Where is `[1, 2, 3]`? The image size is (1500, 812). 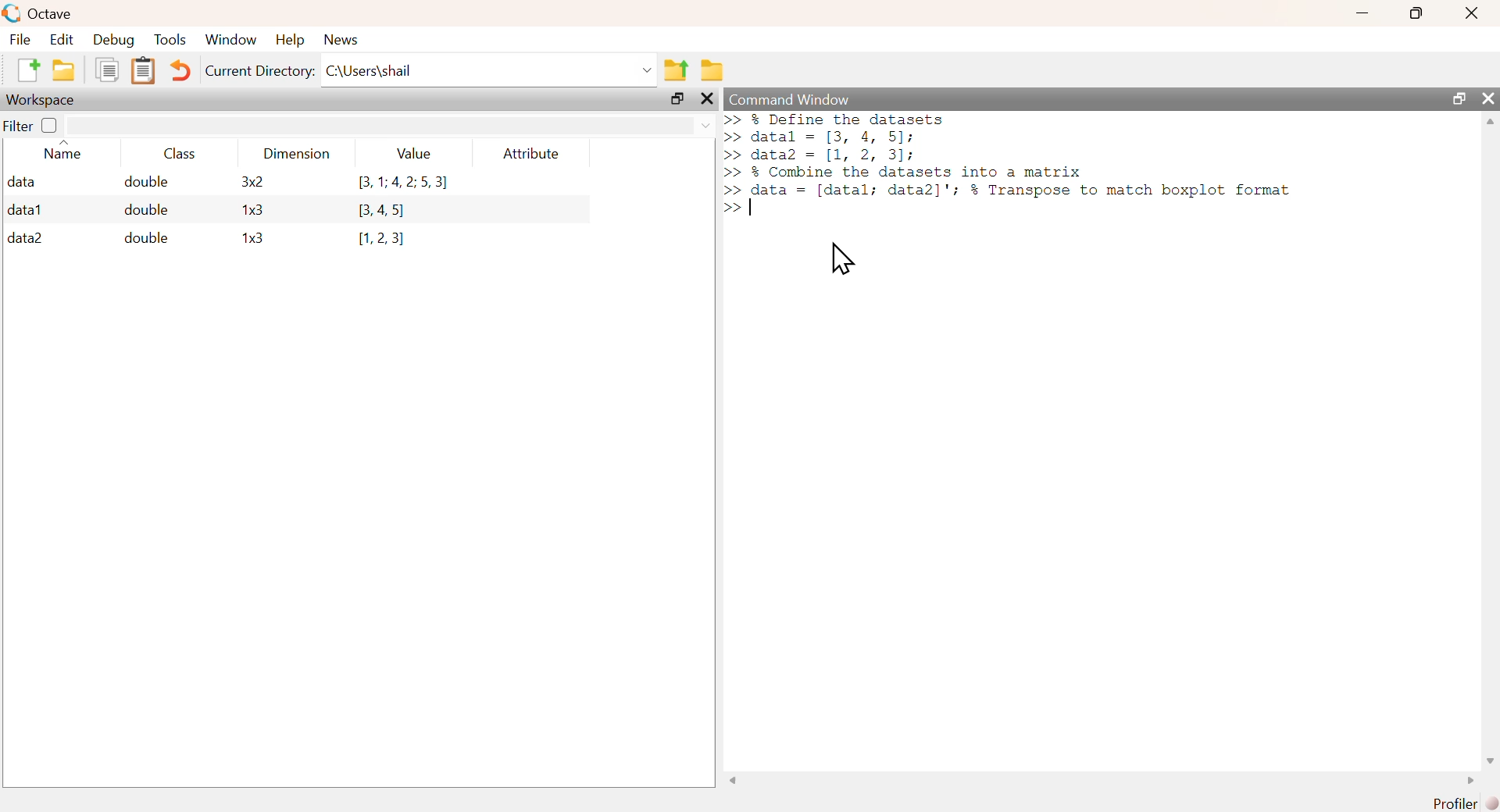
[1, 2, 3] is located at coordinates (381, 239).